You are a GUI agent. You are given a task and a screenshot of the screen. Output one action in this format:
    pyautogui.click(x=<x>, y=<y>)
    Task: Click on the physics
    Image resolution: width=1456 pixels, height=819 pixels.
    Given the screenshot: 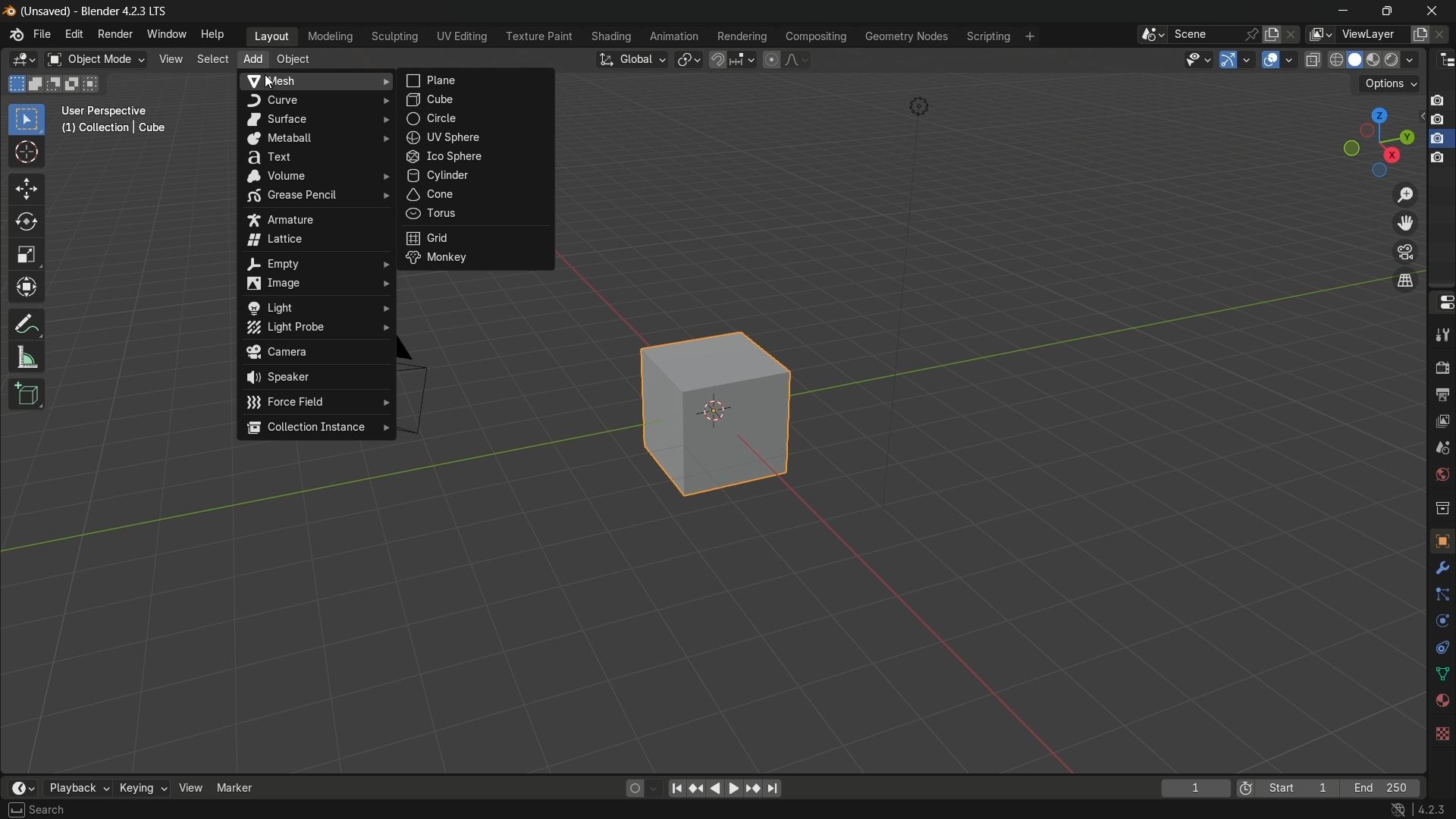 What is the action you would take?
    pyautogui.click(x=1441, y=622)
    